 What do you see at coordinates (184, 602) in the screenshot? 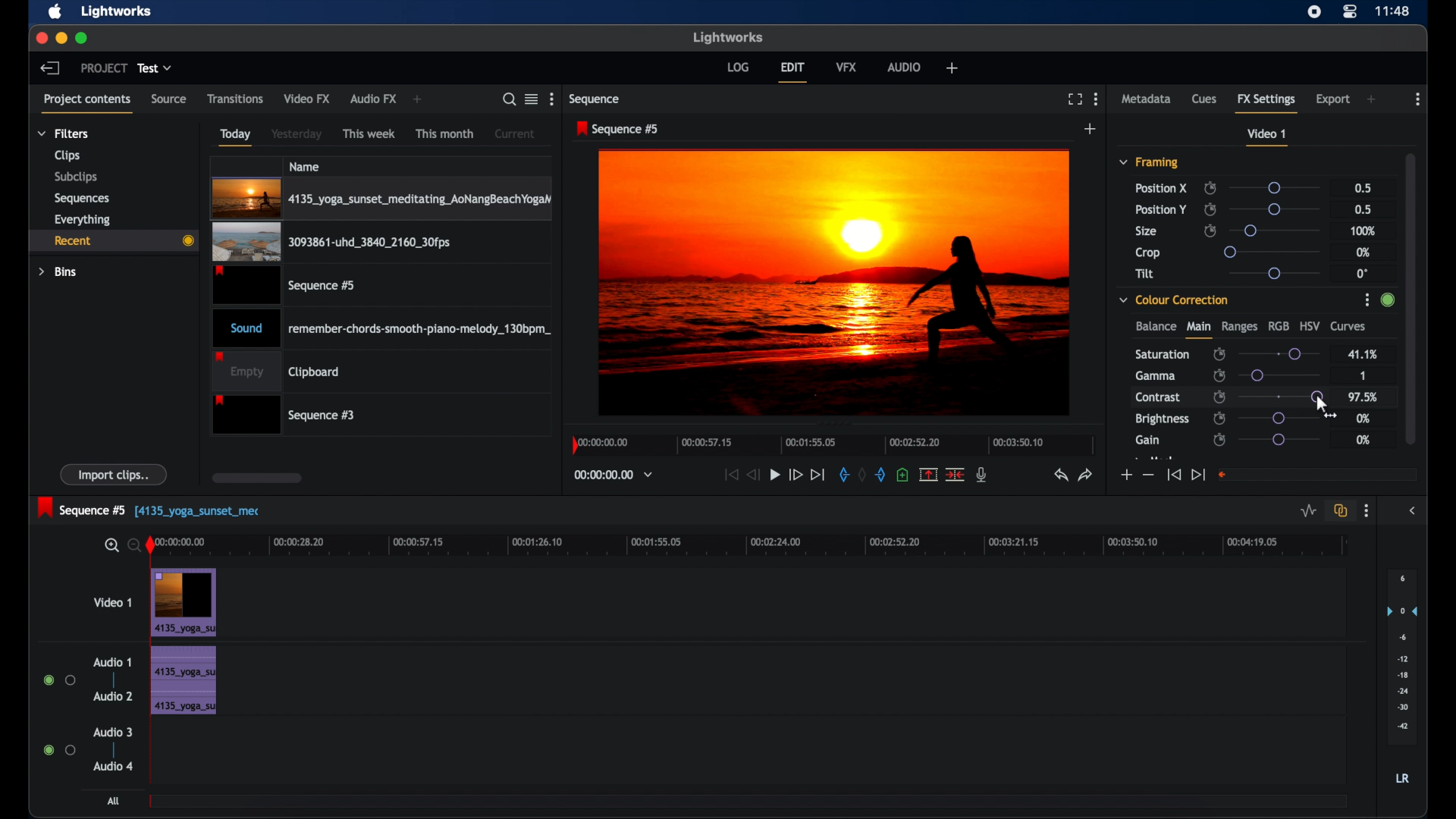
I see `video` at bounding box center [184, 602].